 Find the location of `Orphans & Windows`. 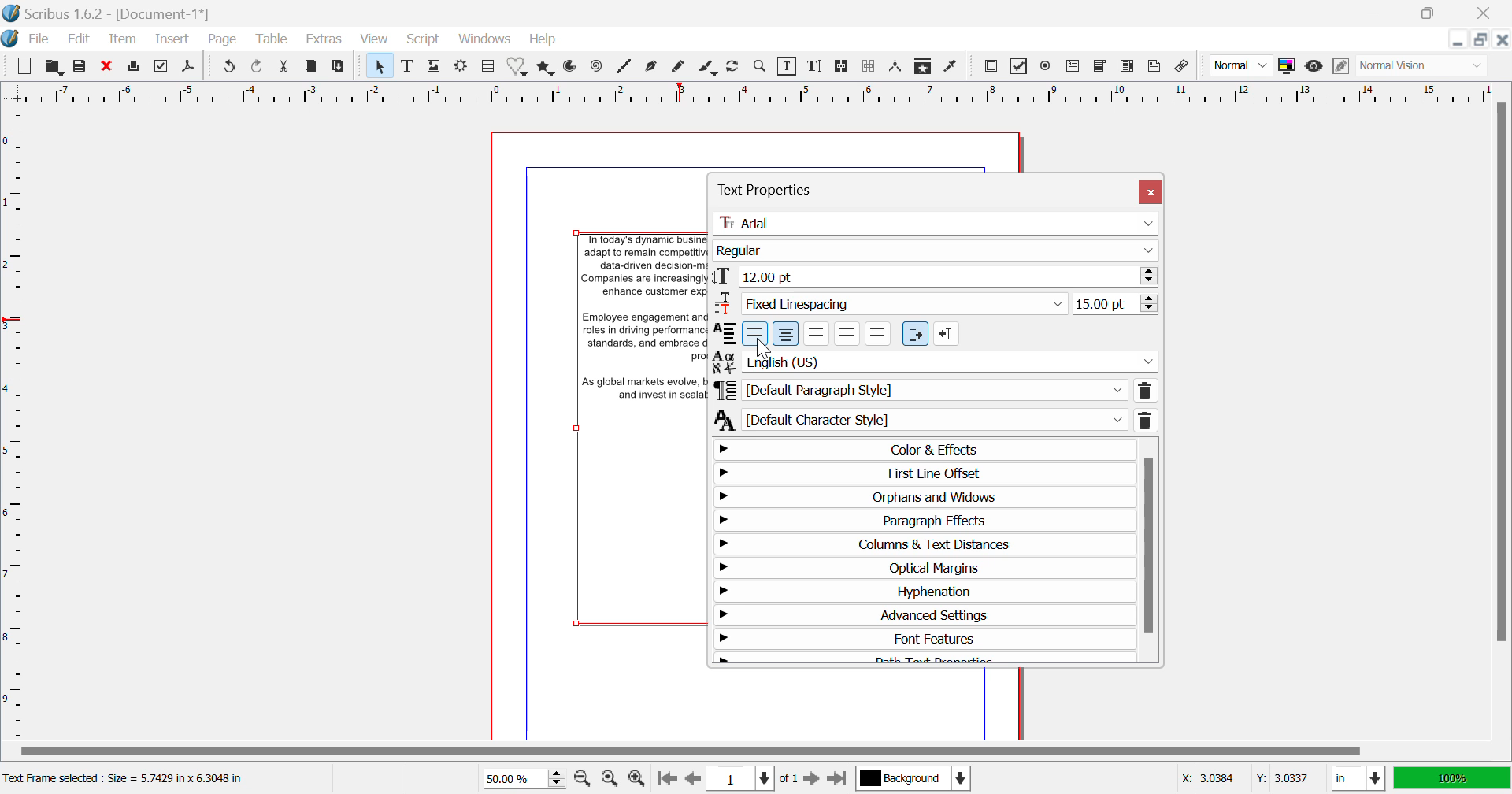

Orphans & Windows is located at coordinates (921, 497).